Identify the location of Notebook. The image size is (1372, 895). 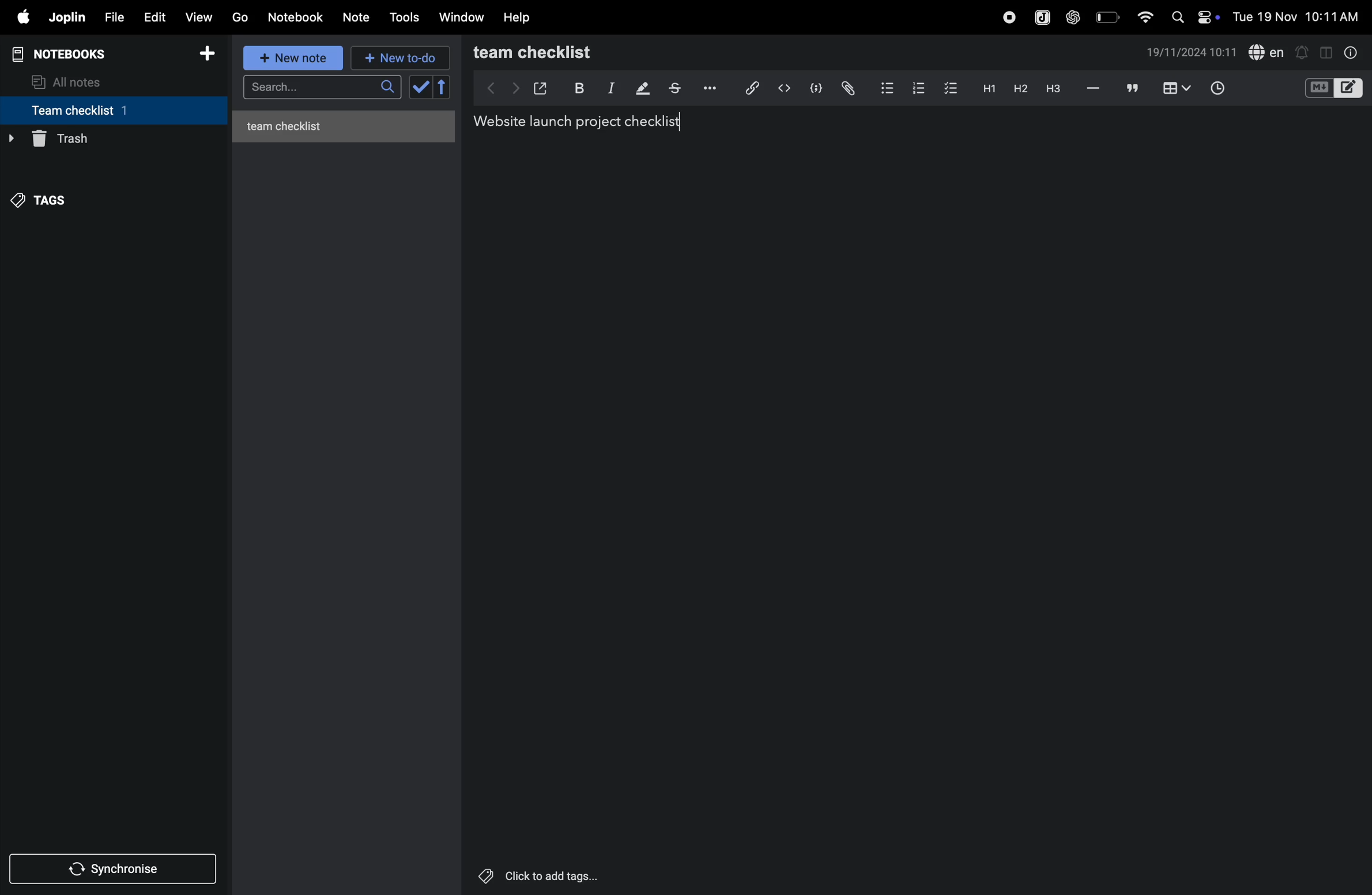
(299, 17).